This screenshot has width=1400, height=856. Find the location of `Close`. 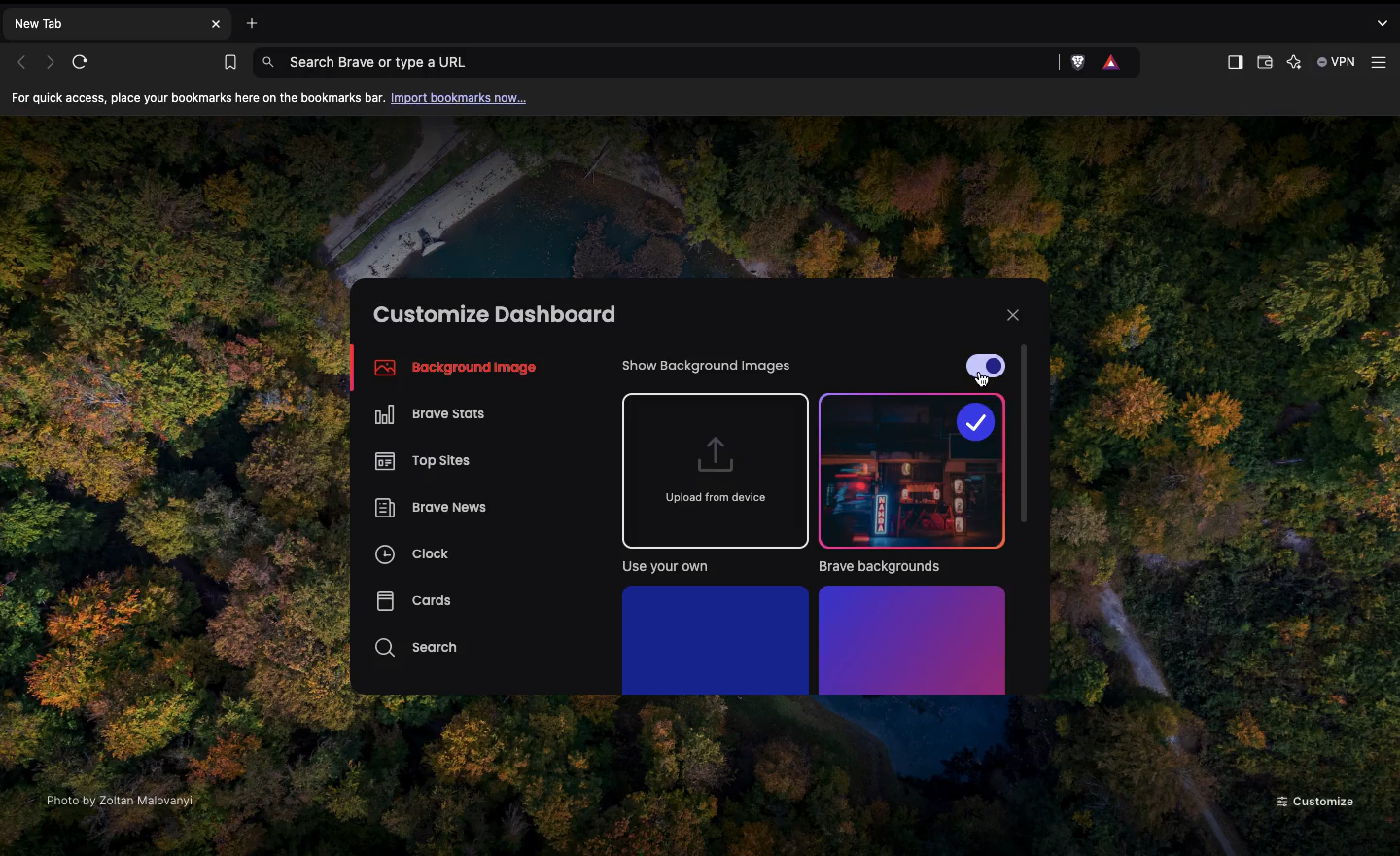

Close is located at coordinates (1013, 315).